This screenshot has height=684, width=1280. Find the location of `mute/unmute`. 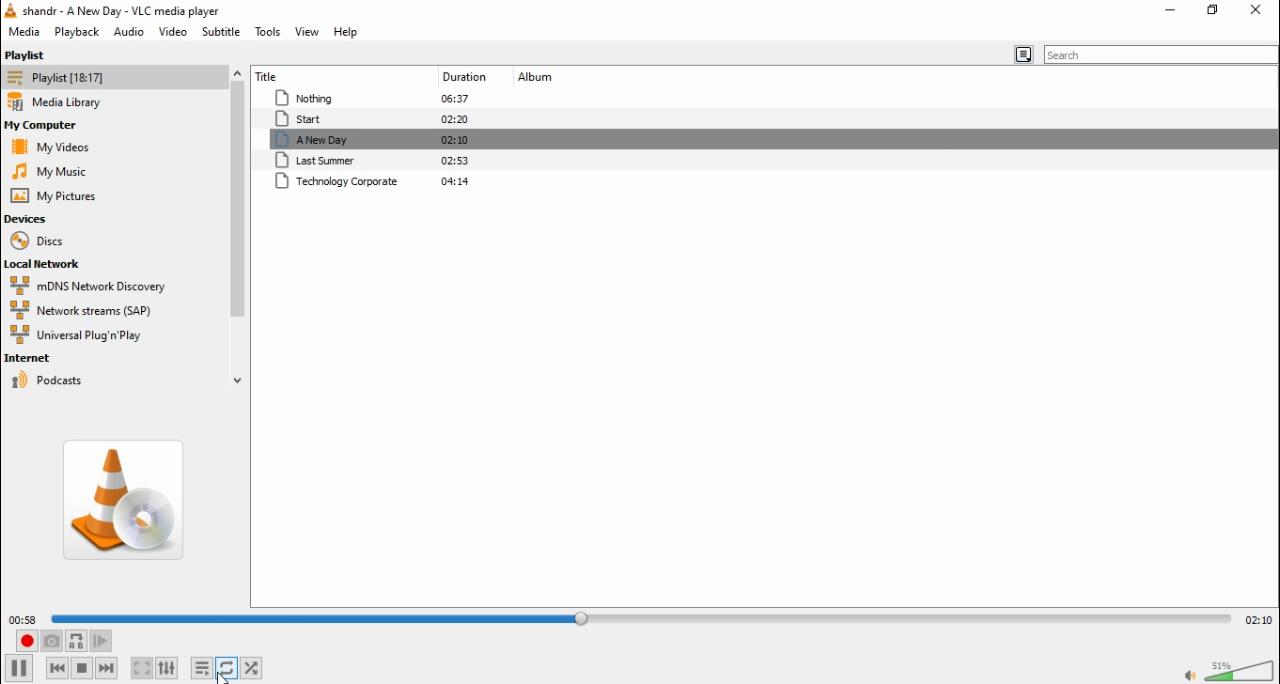

mute/unmute is located at coordinates (1187, 676).